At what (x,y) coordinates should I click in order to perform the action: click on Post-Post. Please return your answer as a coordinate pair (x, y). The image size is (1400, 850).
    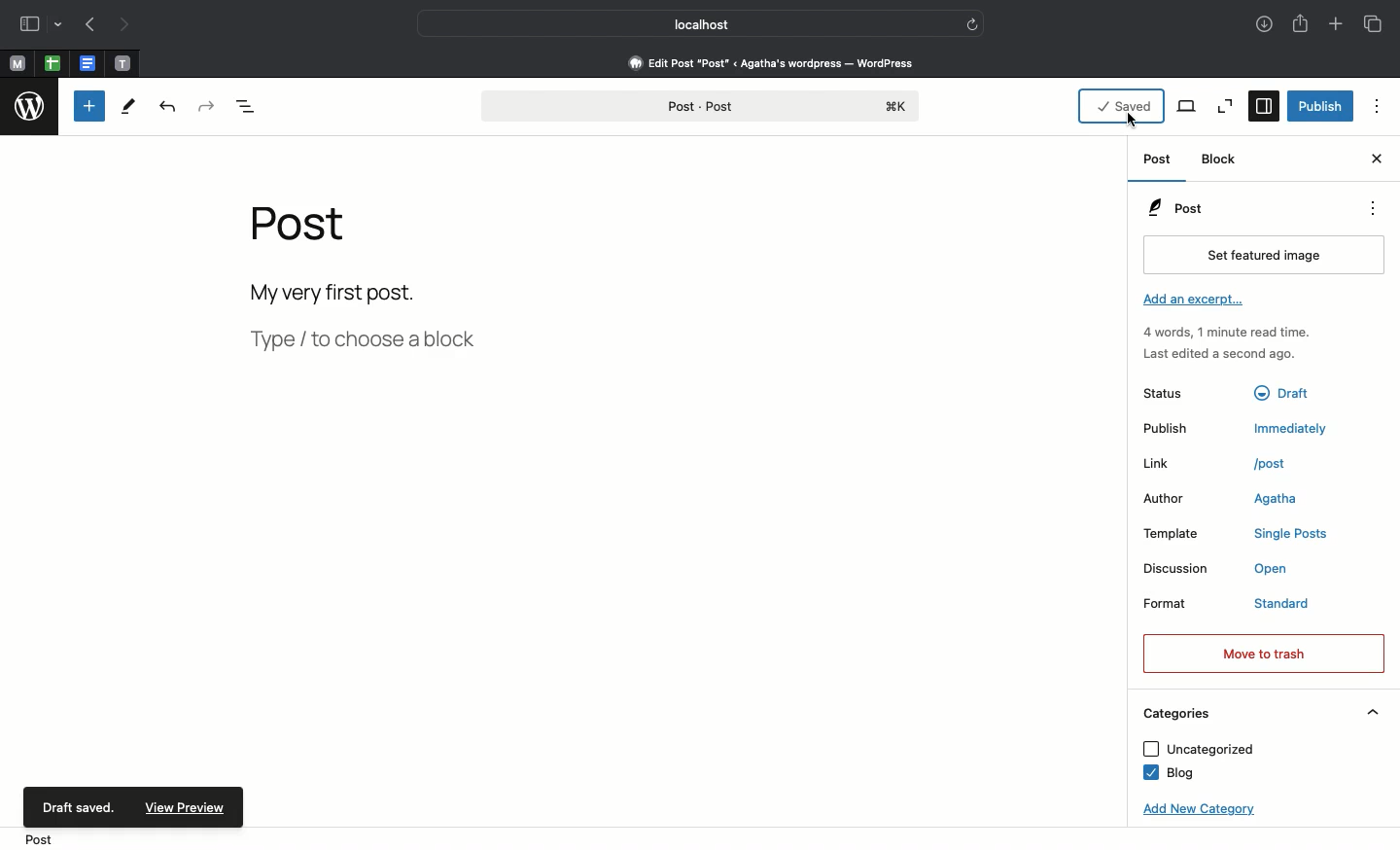
    Looking at the image, I should click on (699, 107).